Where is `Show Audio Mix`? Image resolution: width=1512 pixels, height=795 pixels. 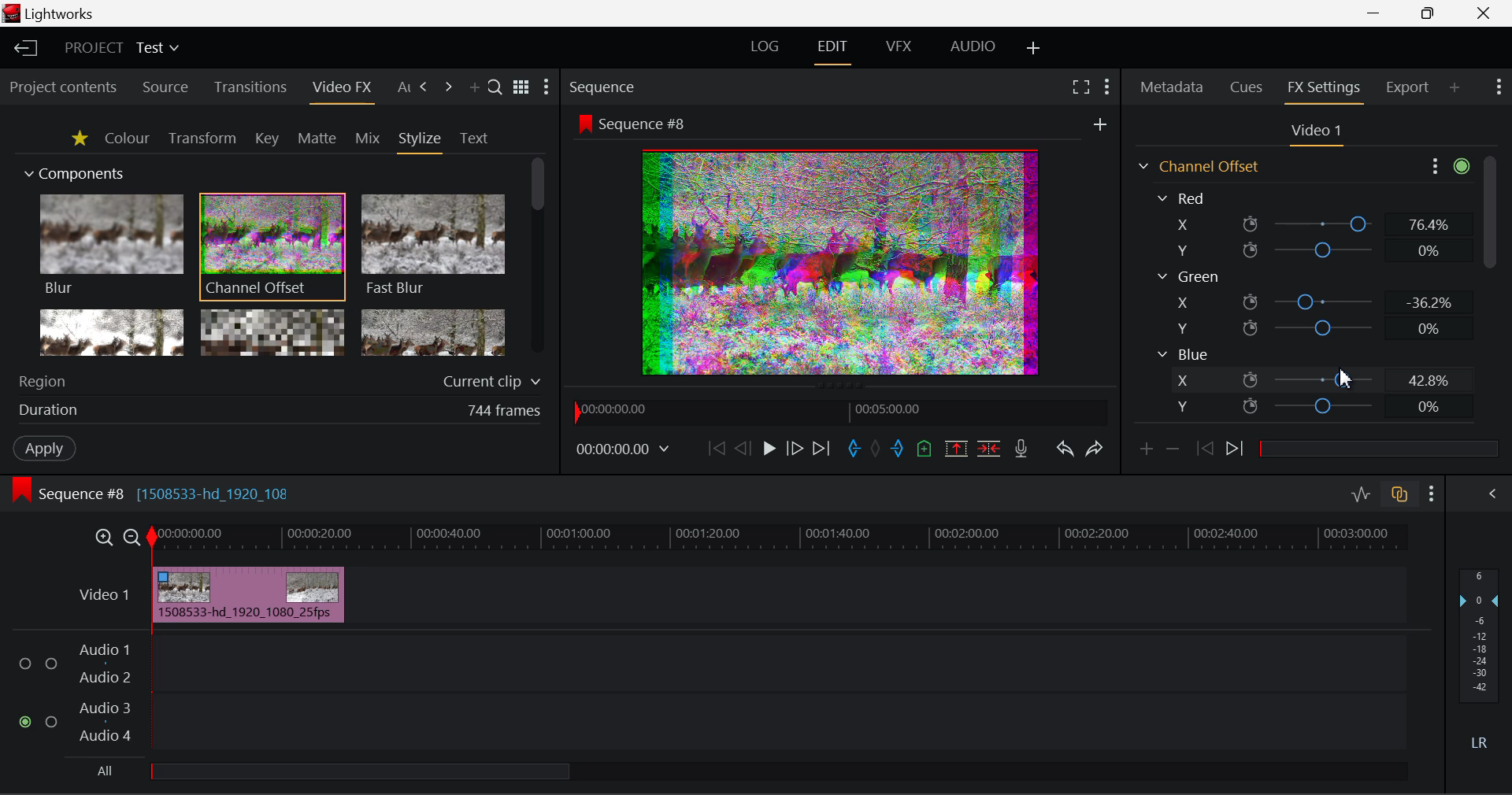 Show Audio Mix is located at coordinates (1484, 494).